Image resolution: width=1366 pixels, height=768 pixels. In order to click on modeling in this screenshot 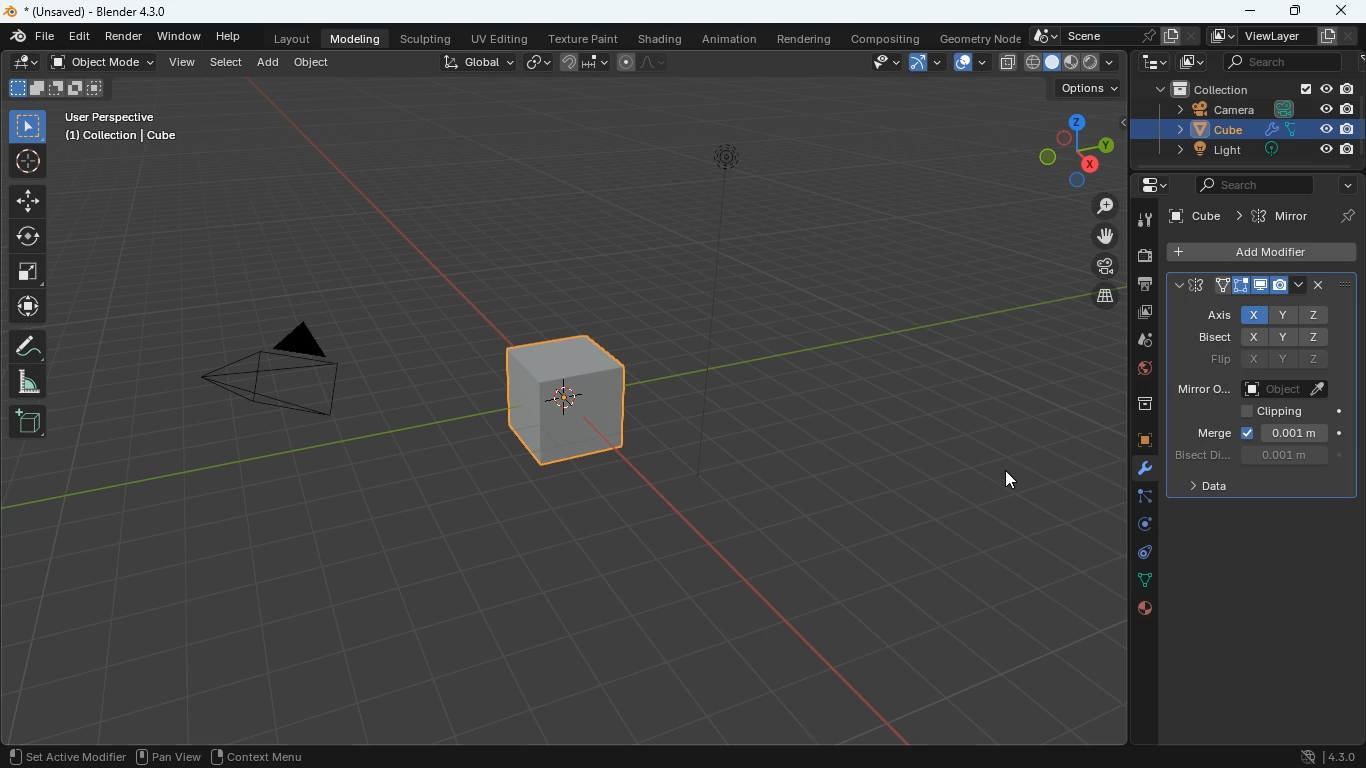, I will do `click(359, 39)`.